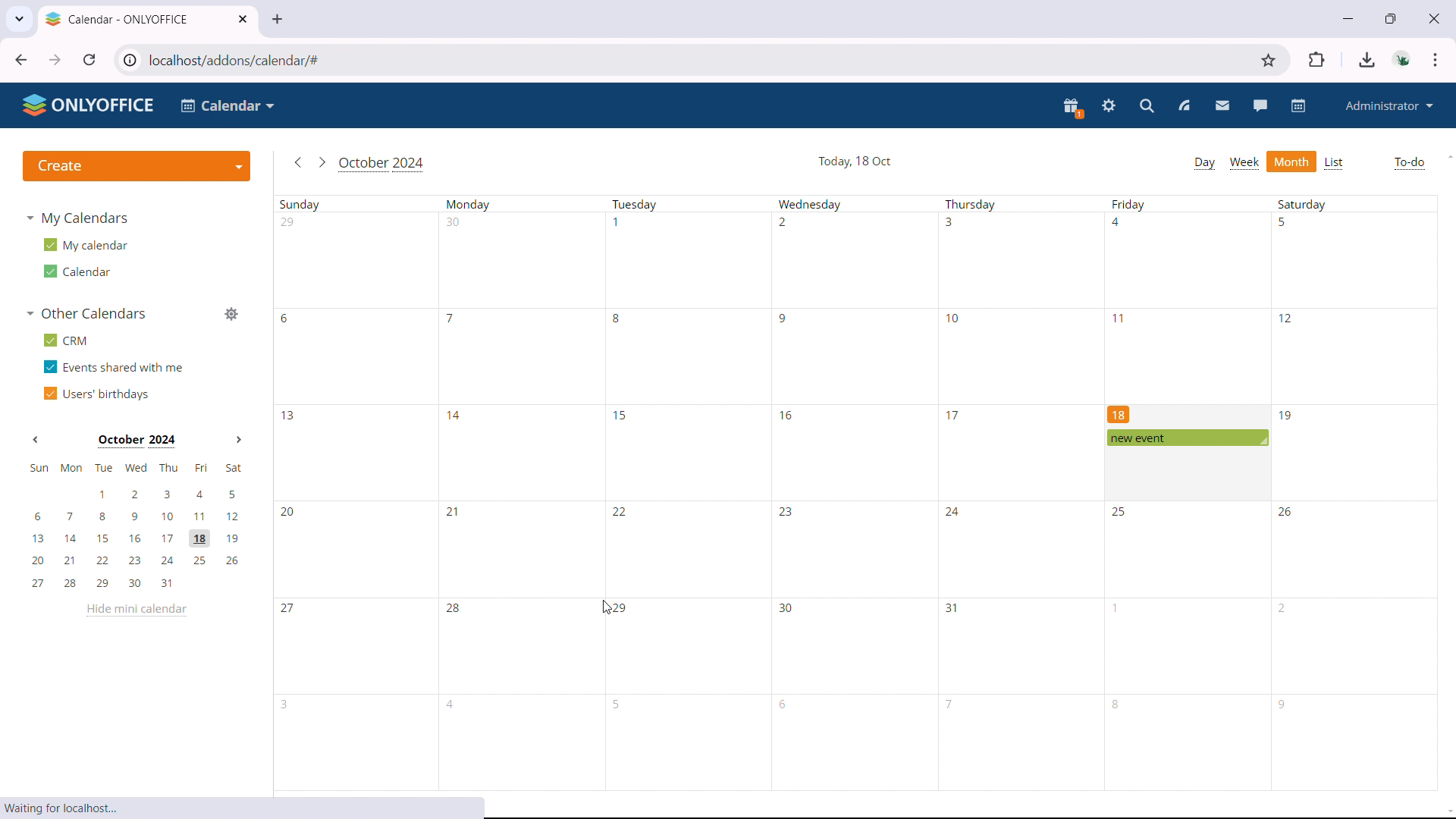 The width and height of the screenshot is (1456, 819). What do you see at coordinates (67, 808) in the screenshot?
I see `link` at bounding box center [67, 808].